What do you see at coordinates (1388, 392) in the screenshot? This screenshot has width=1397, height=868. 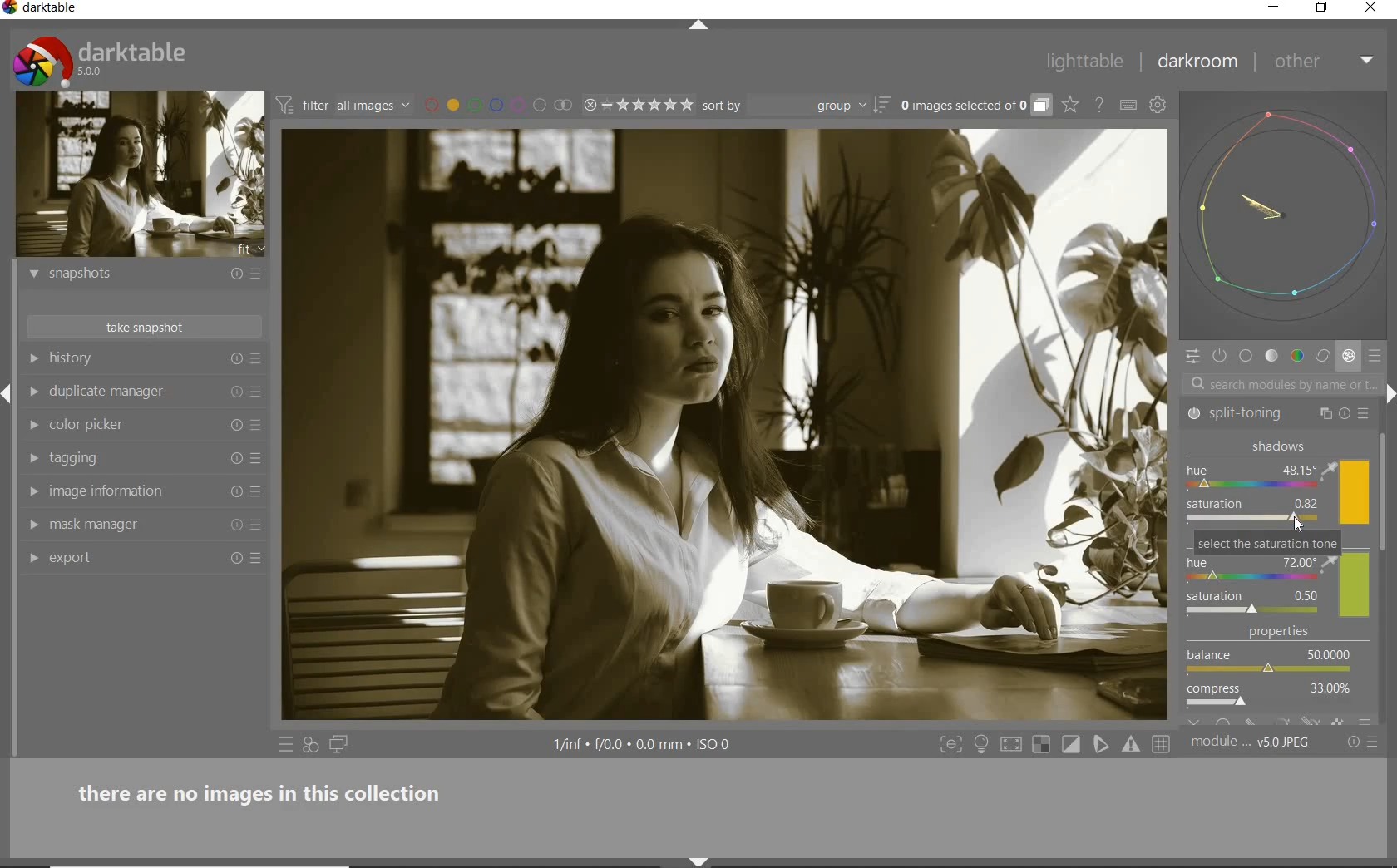 I see `shift+ctrl+r` at bounding box center [1388, 392].